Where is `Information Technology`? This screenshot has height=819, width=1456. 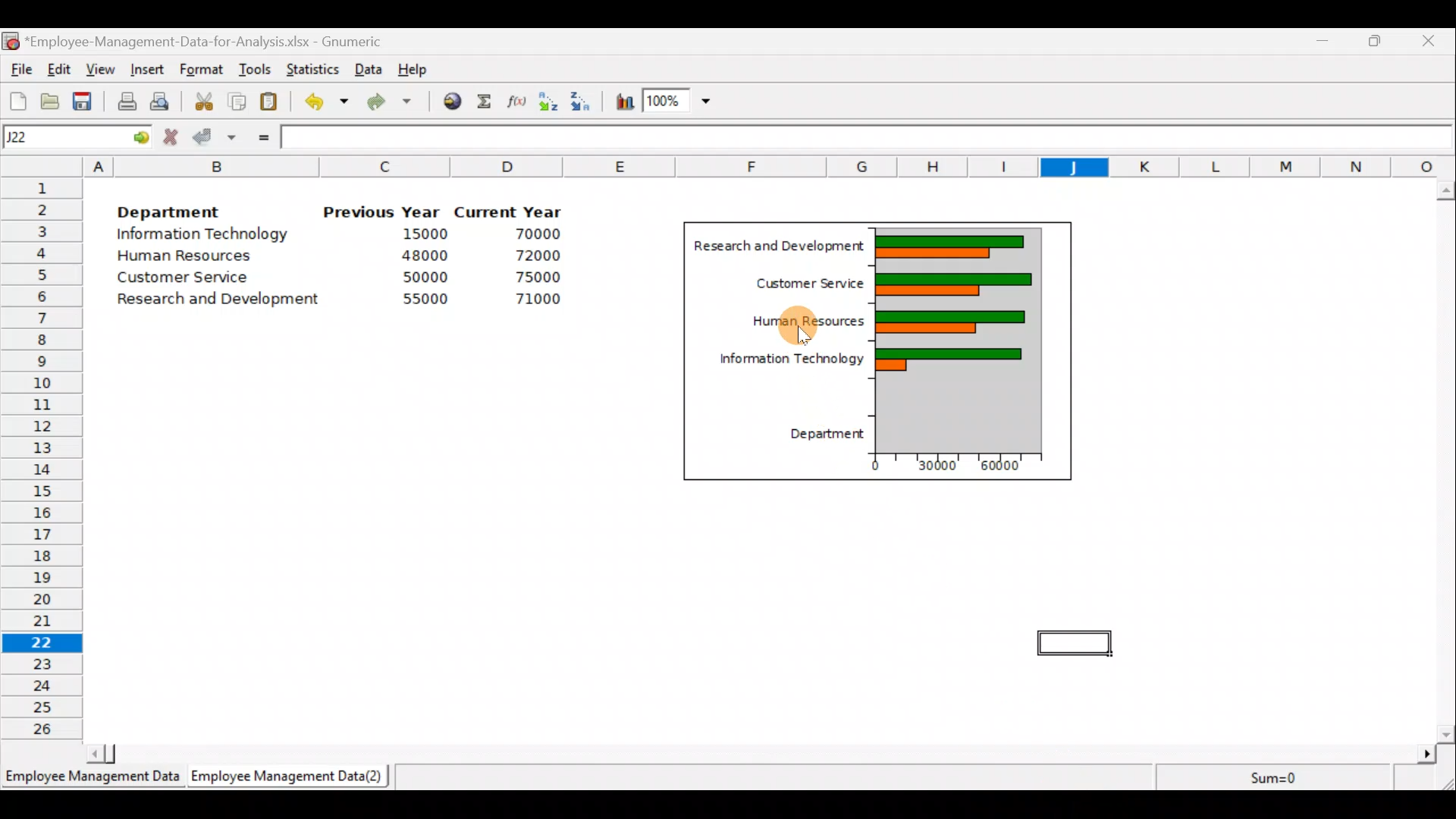 Information Technology is located at coordinates (781, 357).